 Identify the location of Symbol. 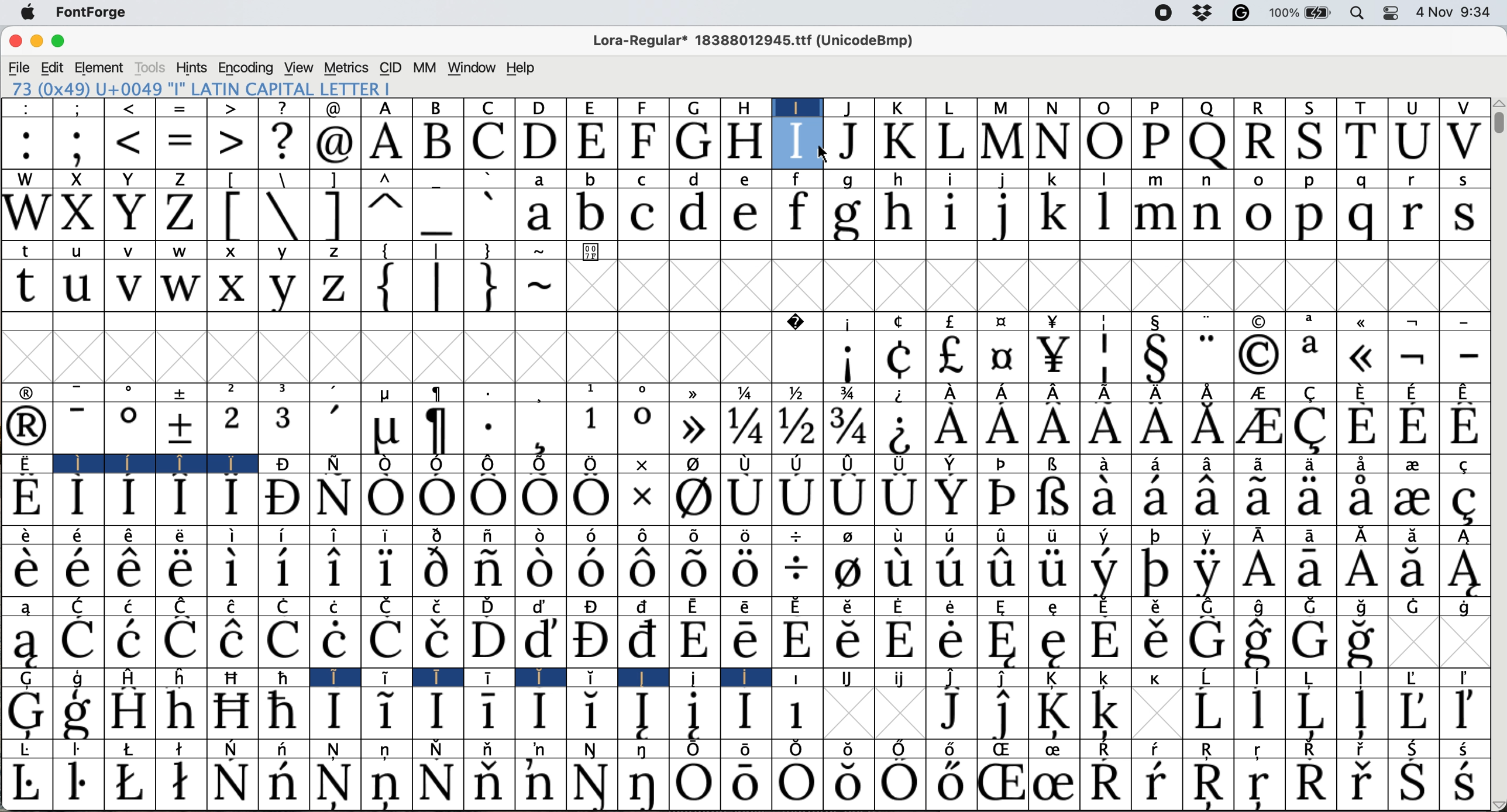
(282, 570).